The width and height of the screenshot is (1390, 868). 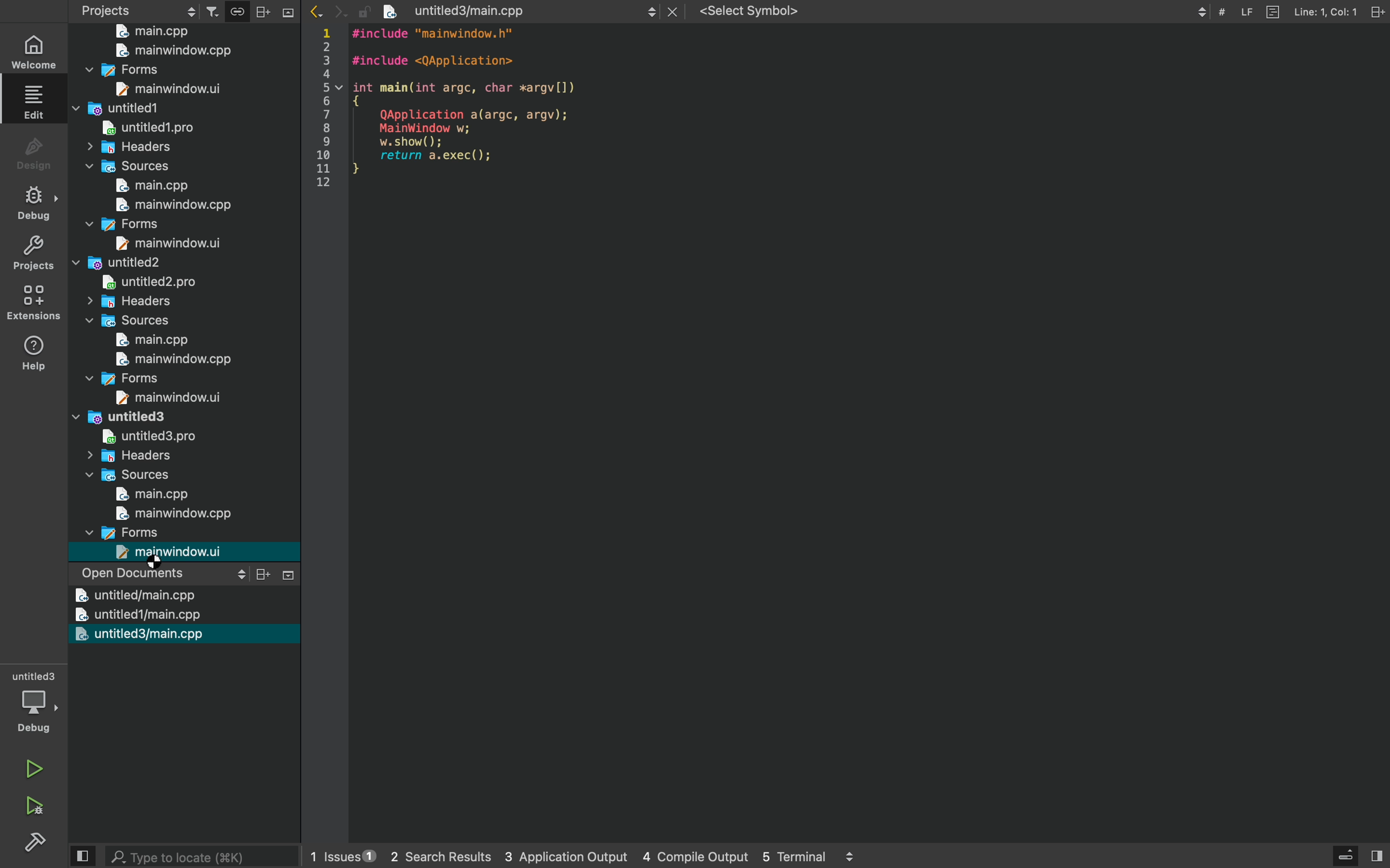 I want to click on , so click(x=38, y=844).